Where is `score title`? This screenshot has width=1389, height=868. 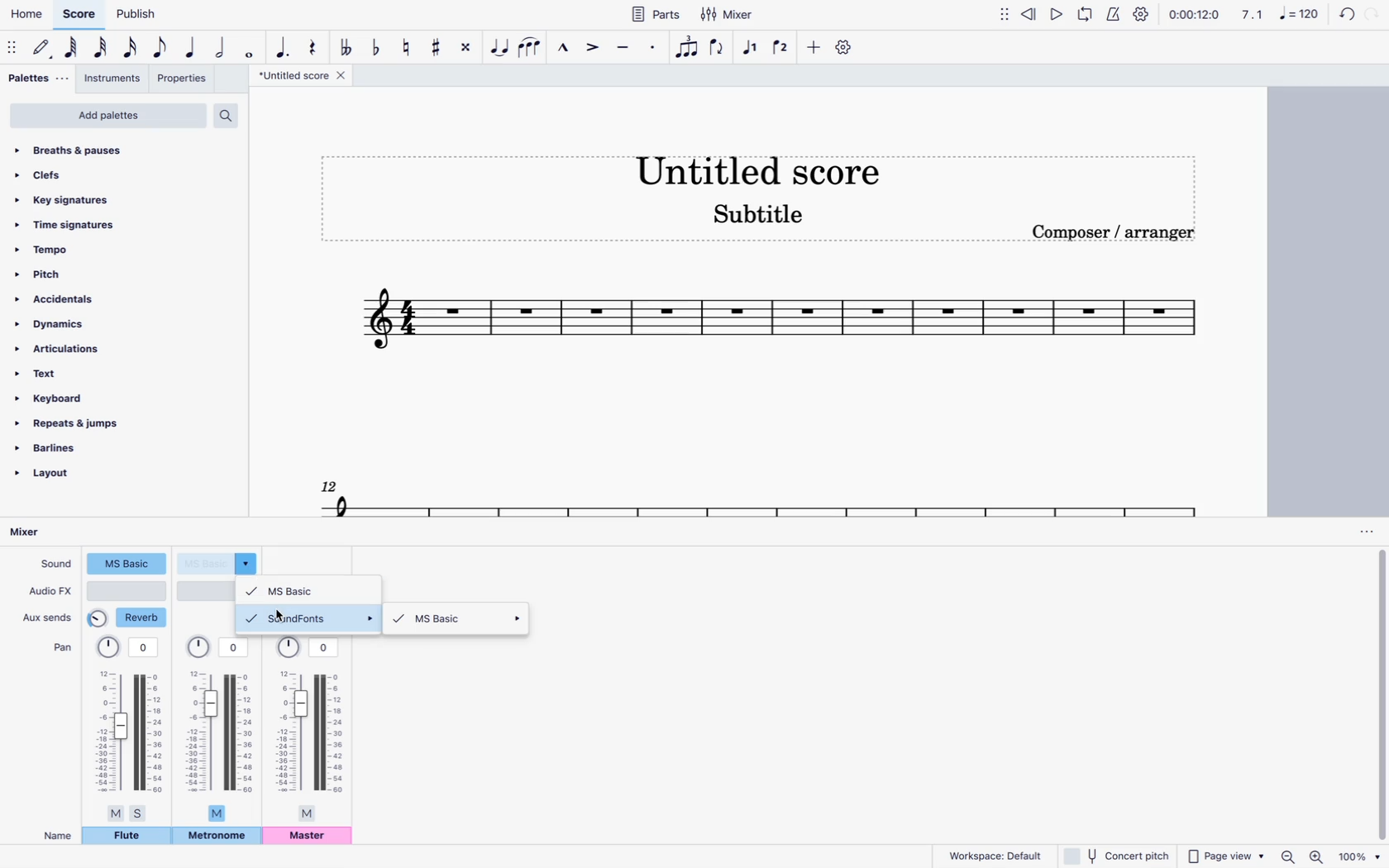
score title is located at coordinates (301, 77).